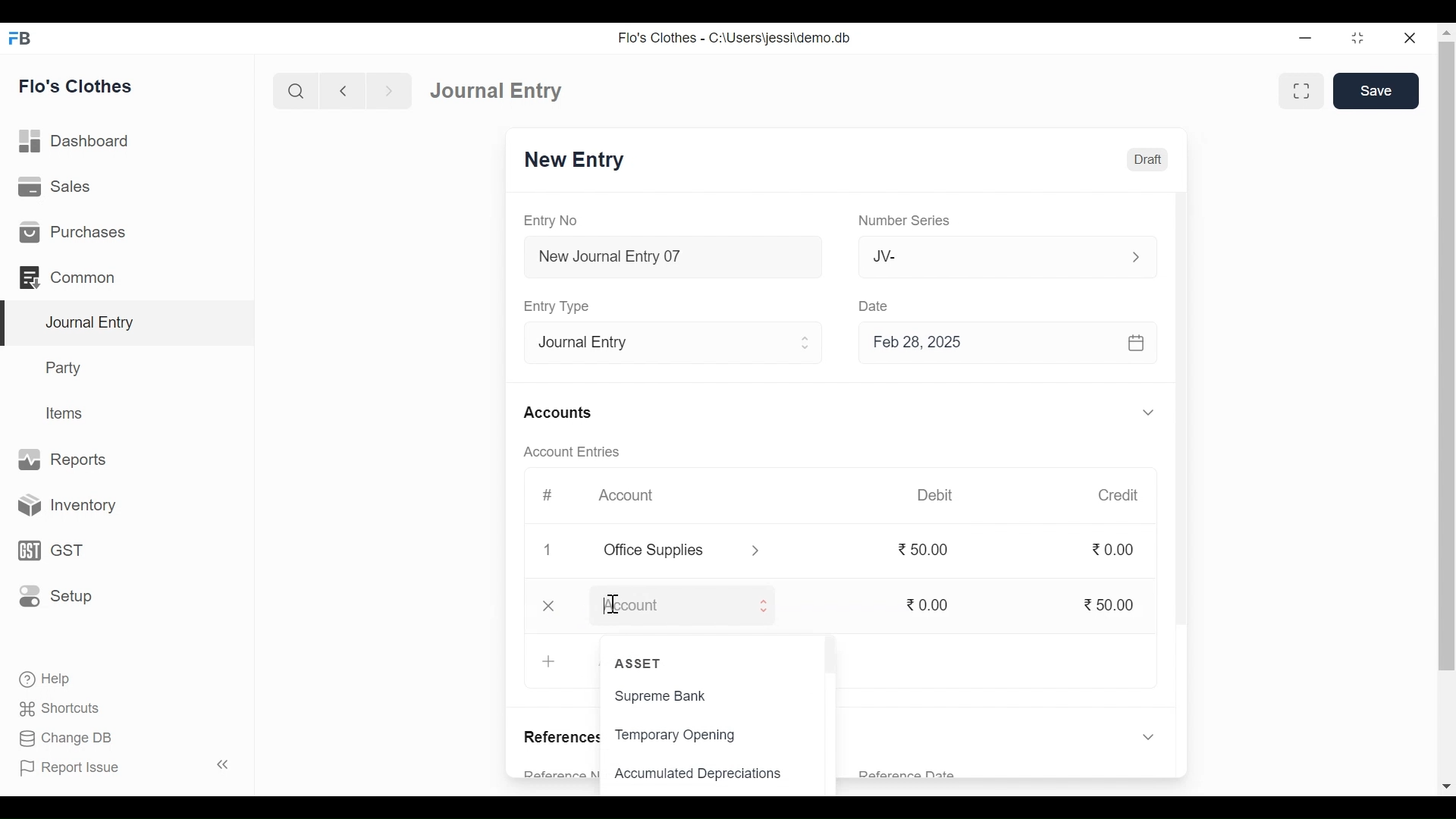 This screenshot has height=819, width=1456. Describe the element at coordinates (549, 548) in the screenshot. I see `1` at that location.